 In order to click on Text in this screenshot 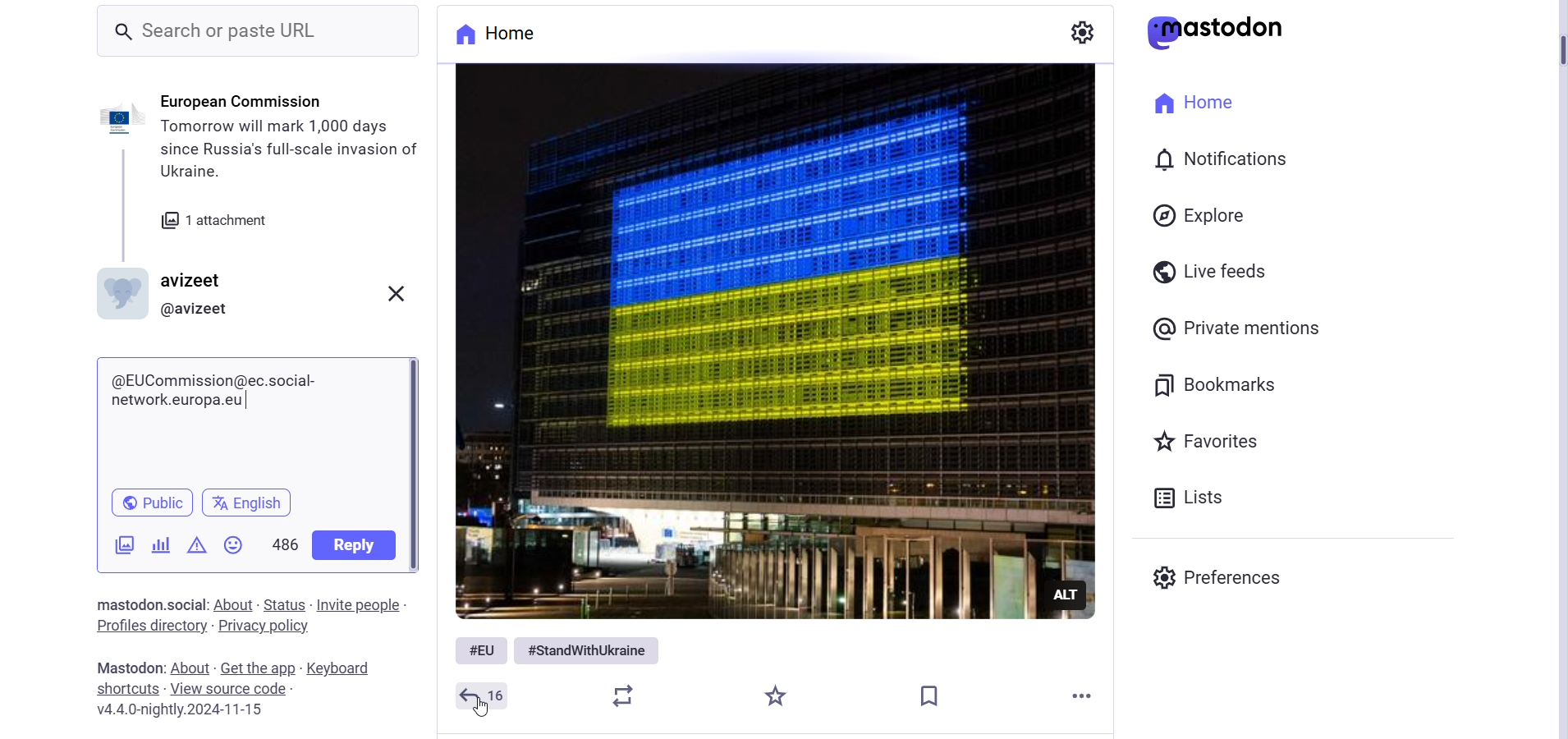, I will do `click(153, 605)`.